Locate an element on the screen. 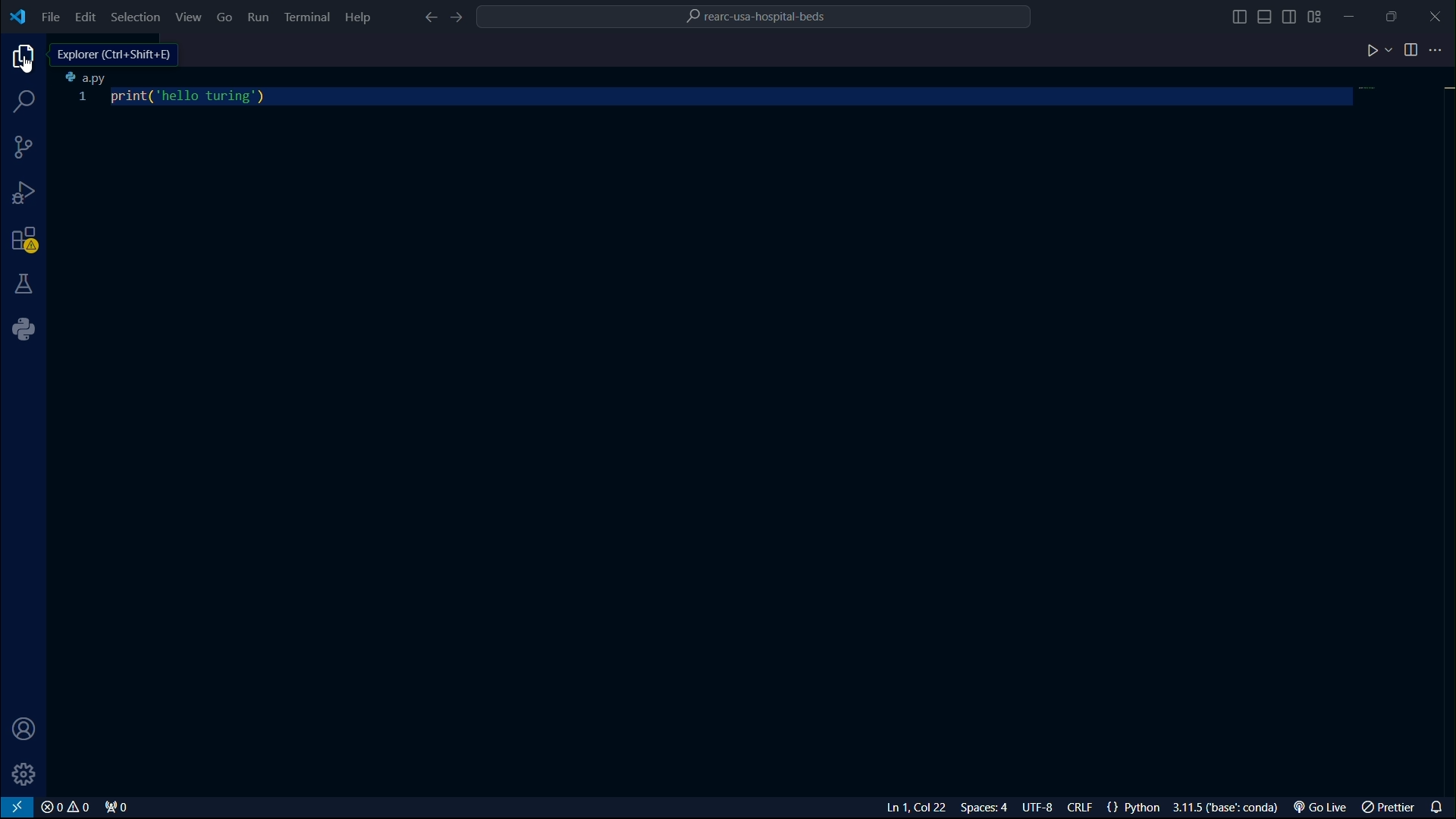  go forward is located at coordinates (461, 19).